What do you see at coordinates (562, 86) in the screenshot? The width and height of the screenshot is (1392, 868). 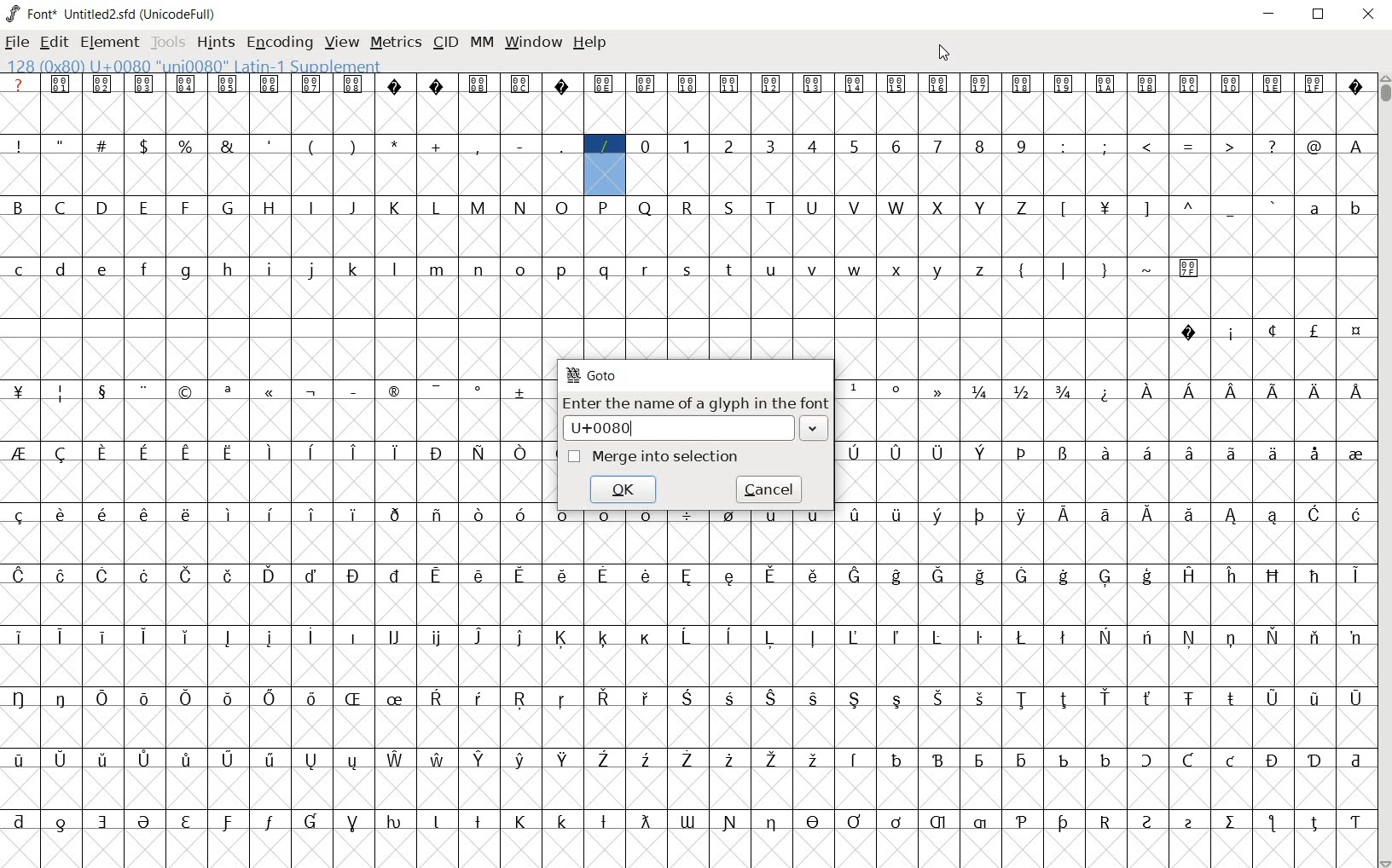 I see `glyph` at bounding box center [562, 86].